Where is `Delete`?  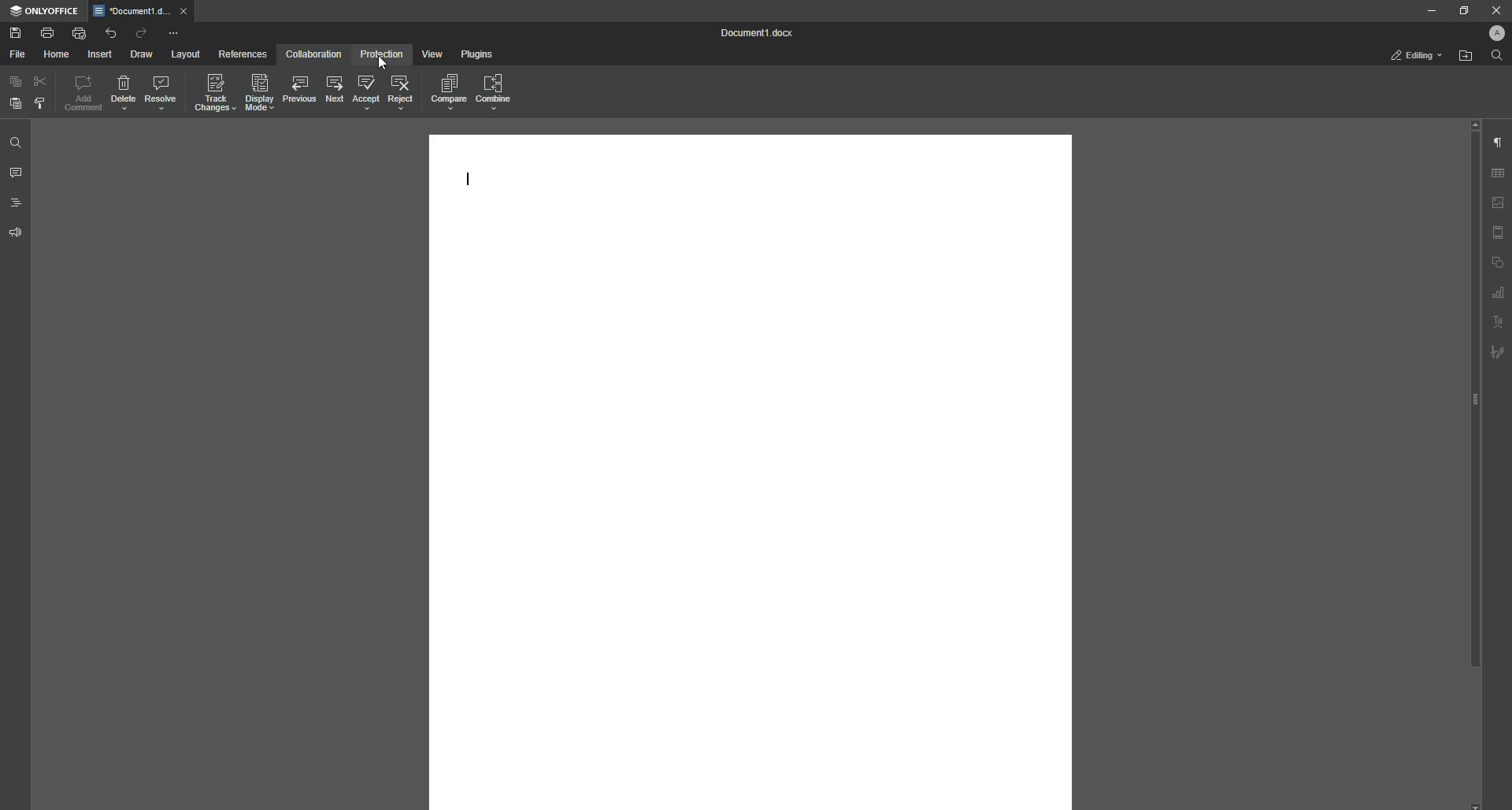 Delete is located at coordinates (123, 93).